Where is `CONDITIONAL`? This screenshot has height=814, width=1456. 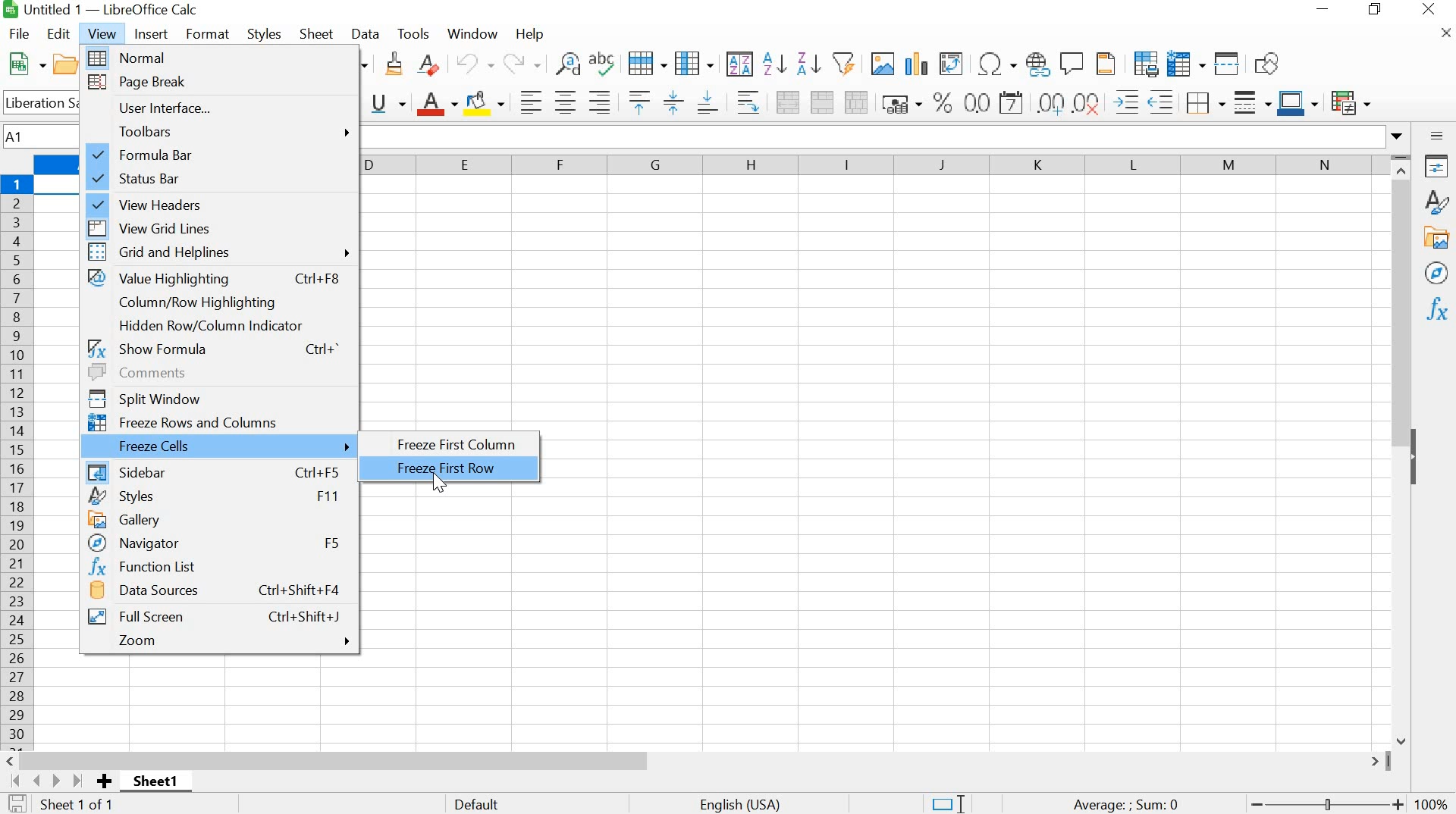
CONDITIONAL is located at coordinates (1354, 100).